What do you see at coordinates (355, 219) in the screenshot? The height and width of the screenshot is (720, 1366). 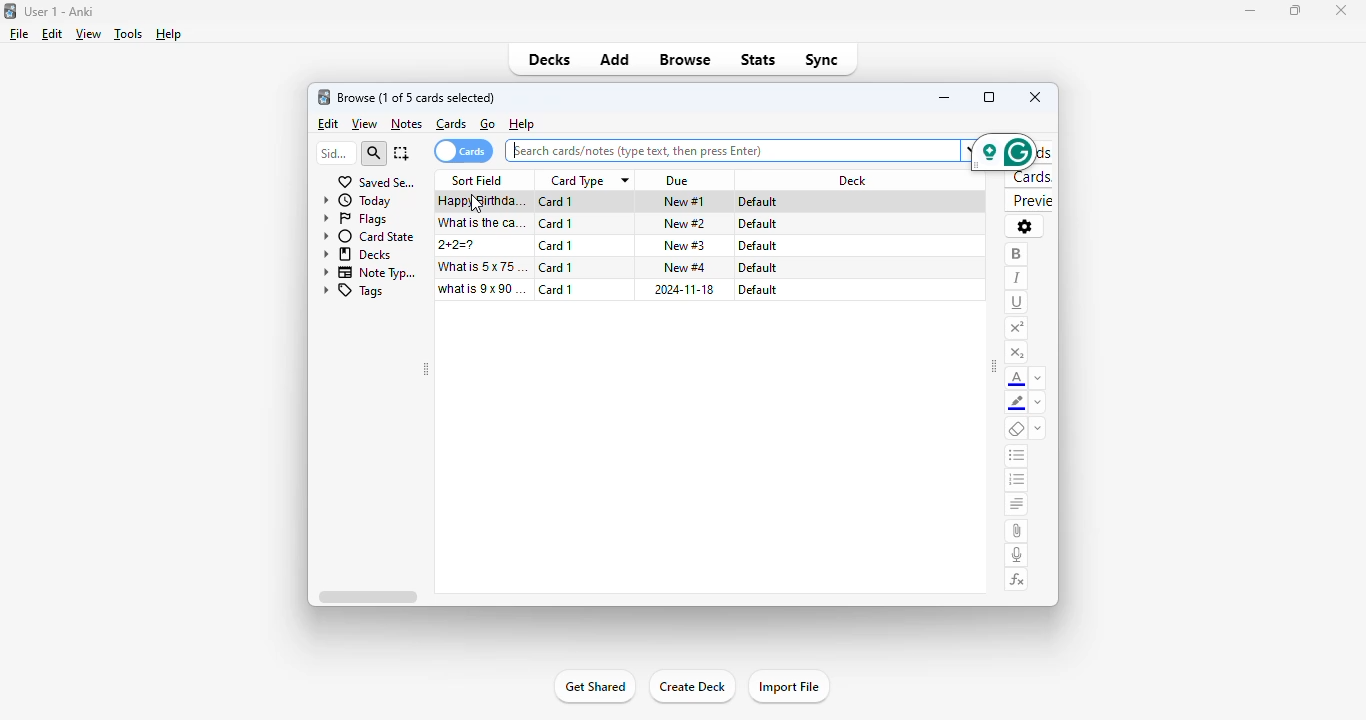 I see `flags` at bounding box center [355, 219].